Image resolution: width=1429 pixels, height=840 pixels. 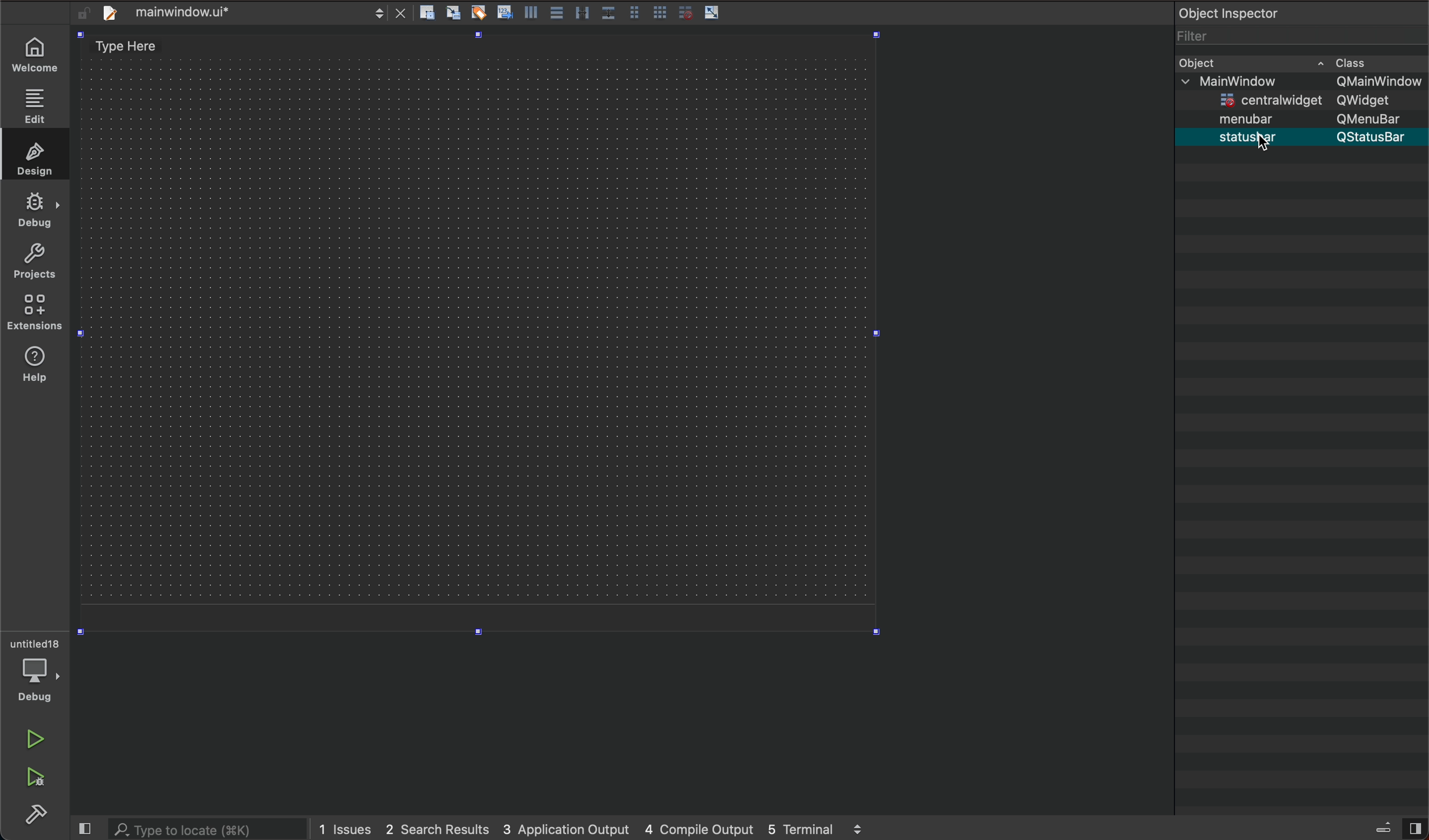 I want to click on centrawidget Qwidget, so click(x=1308, y=102).